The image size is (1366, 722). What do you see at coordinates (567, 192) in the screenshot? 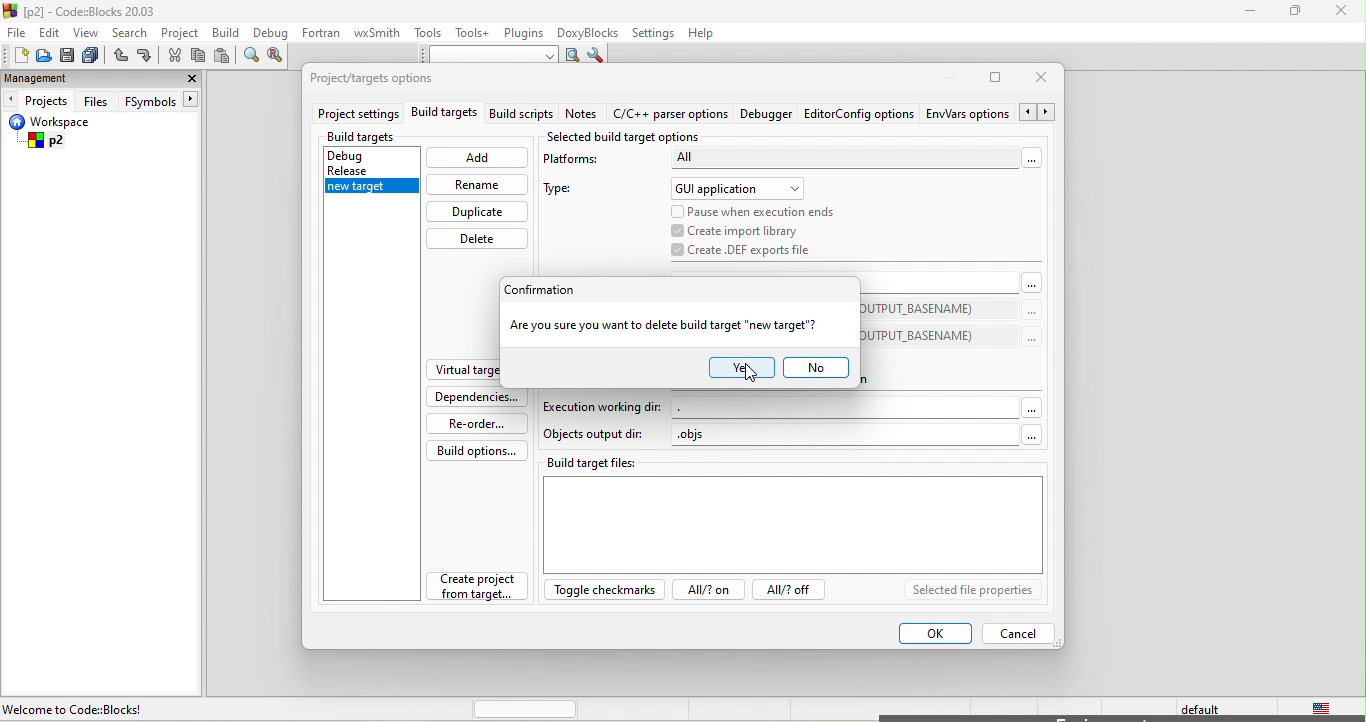
I see `type` at bounding box center [567, 192].